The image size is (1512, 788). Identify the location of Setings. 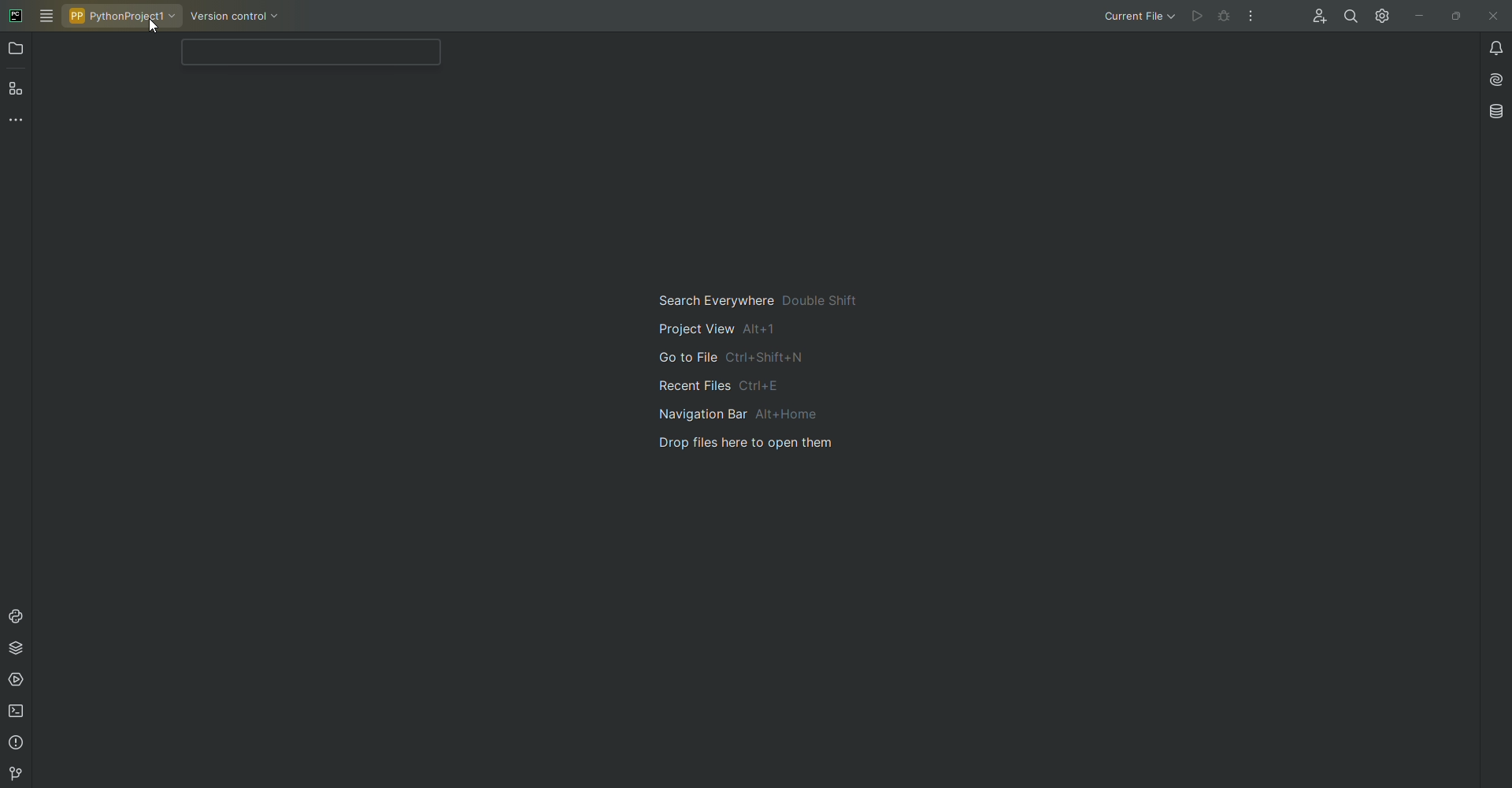
(1380, 16).